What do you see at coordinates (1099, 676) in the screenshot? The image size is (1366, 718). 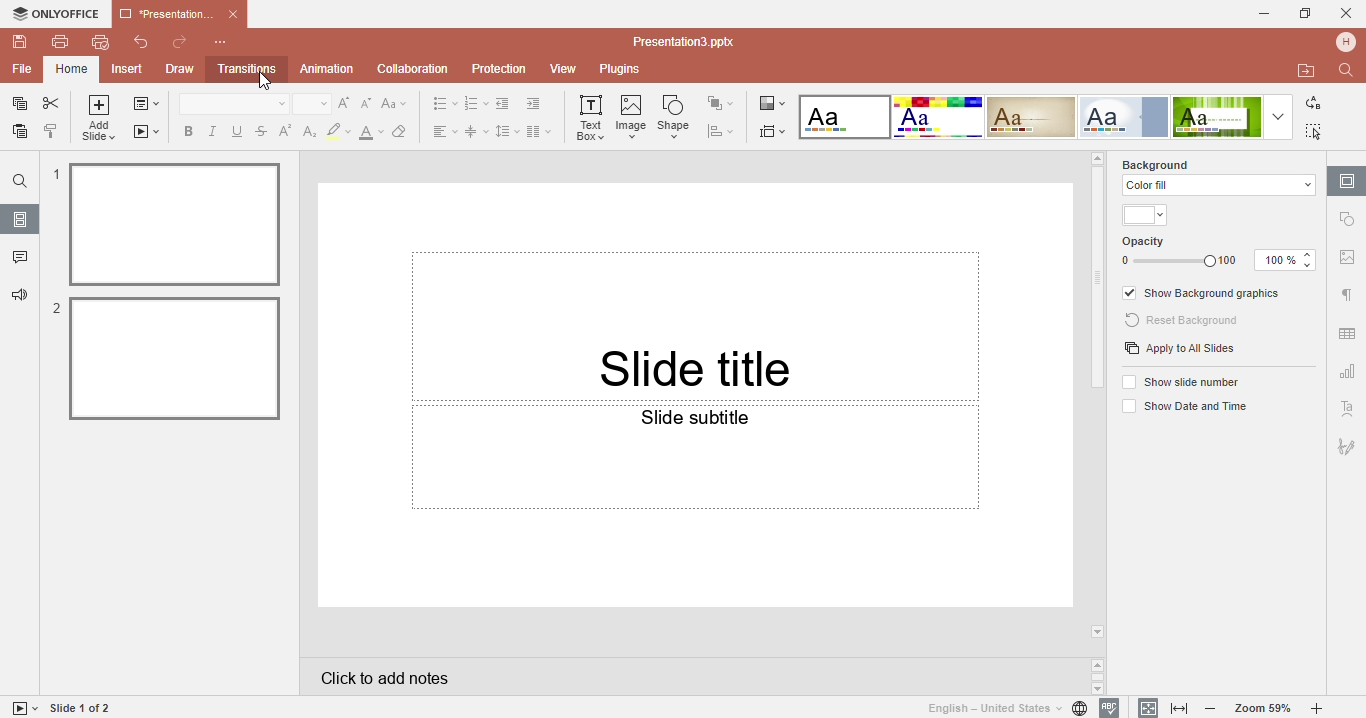 I see `Scroll buttons` at bounding box center [1099, 676].